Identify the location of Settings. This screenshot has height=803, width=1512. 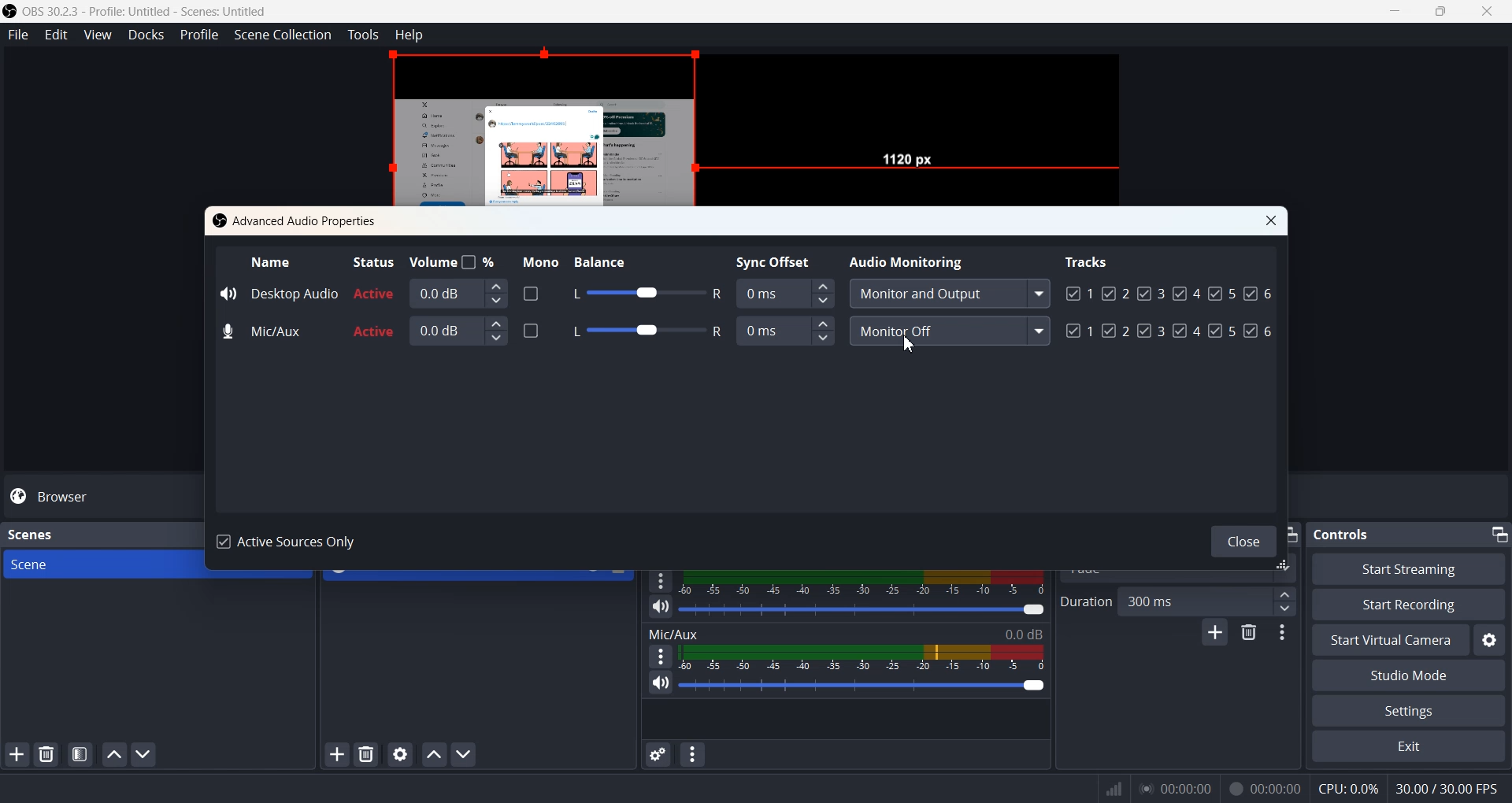
(1407, 712).